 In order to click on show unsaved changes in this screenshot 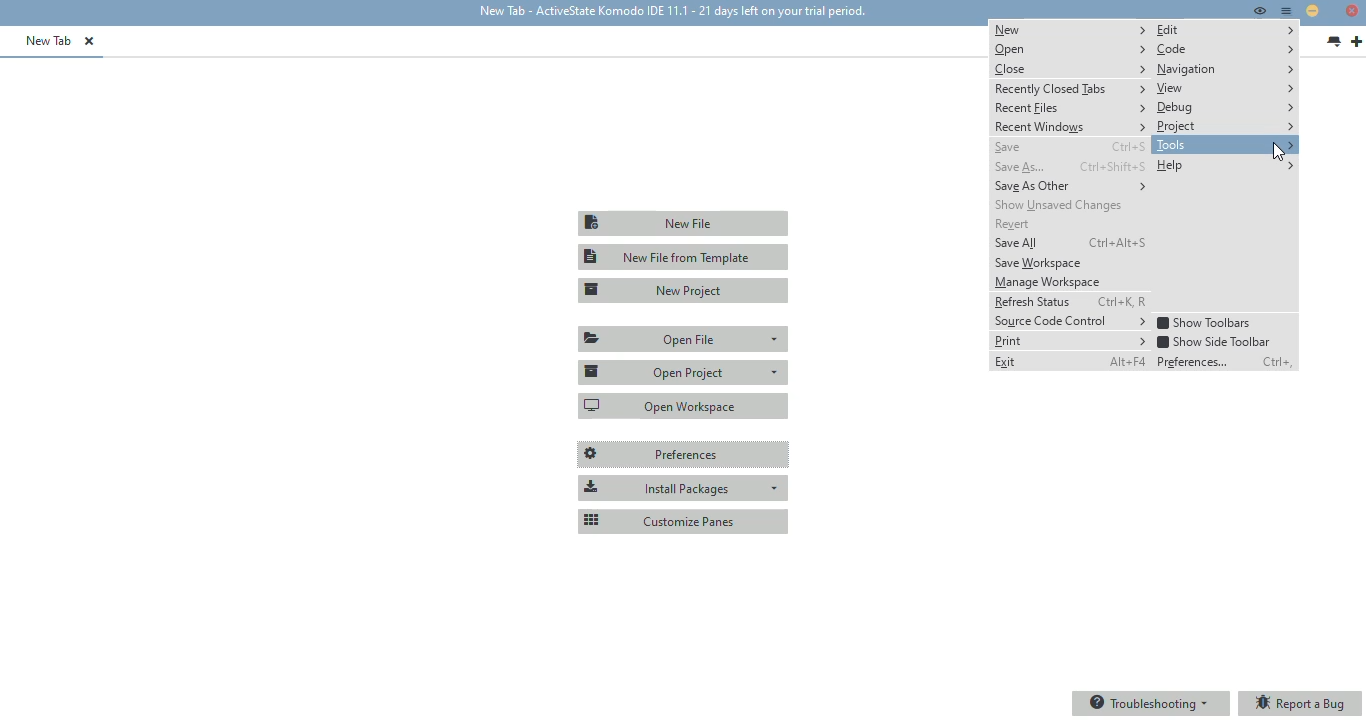, I will do `click(1060, 205)`.